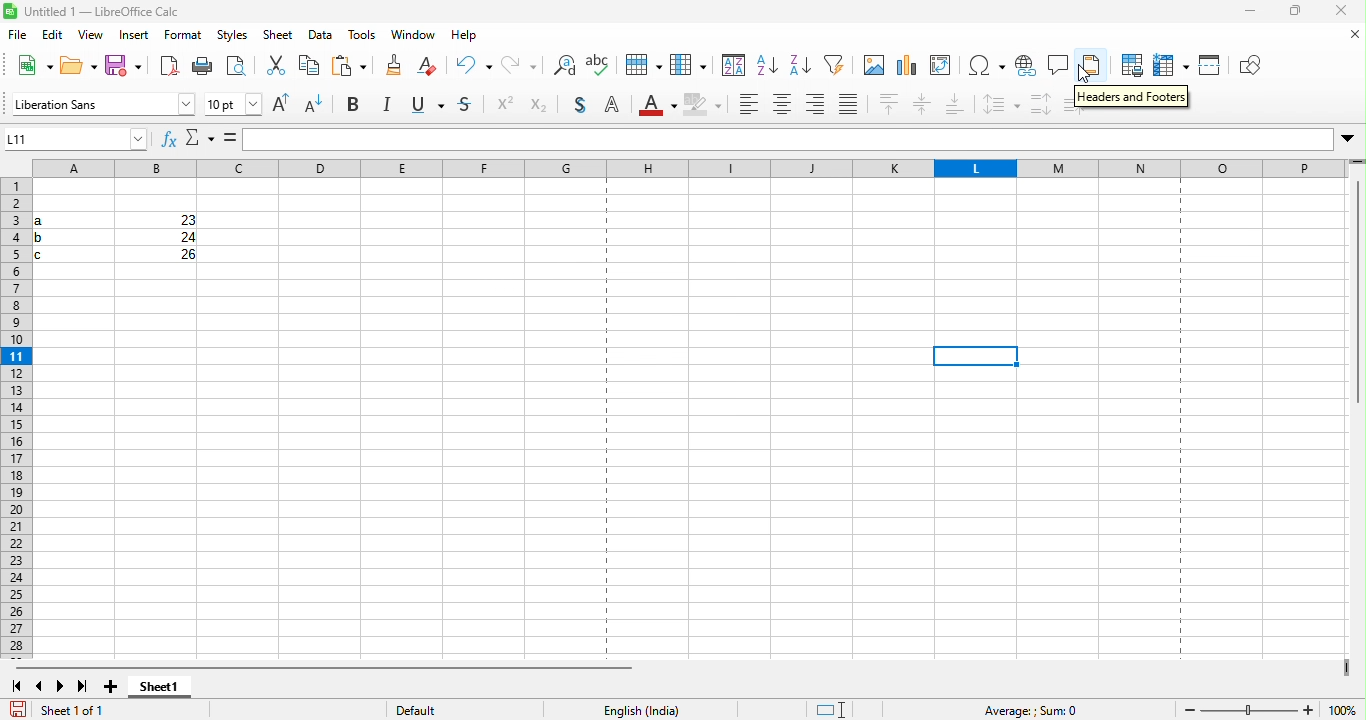 This screenshot has width=1366, height=720. What do you see at coordinates (579, 107) in the screenshot?
I see `toggle shadow ` at bounding box center [579, 107].